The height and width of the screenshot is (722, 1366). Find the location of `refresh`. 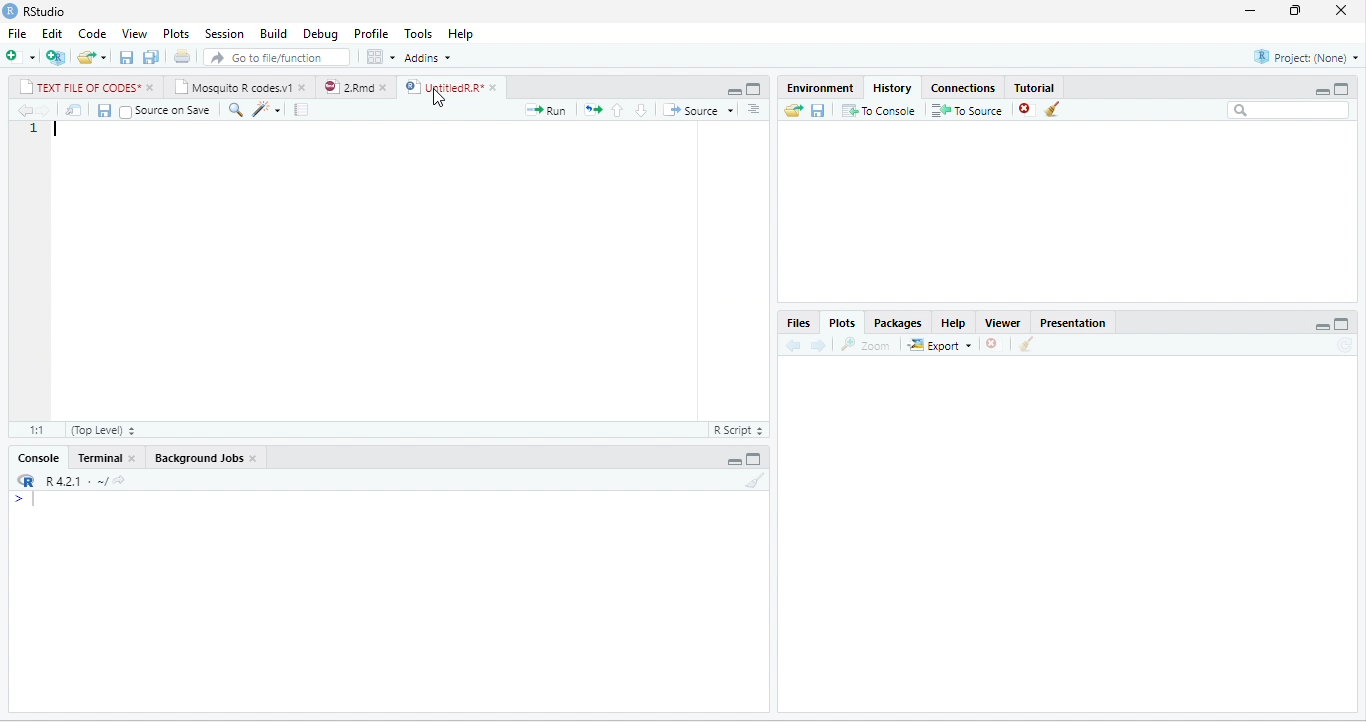

refresh is located at coordinates (1345, 345).